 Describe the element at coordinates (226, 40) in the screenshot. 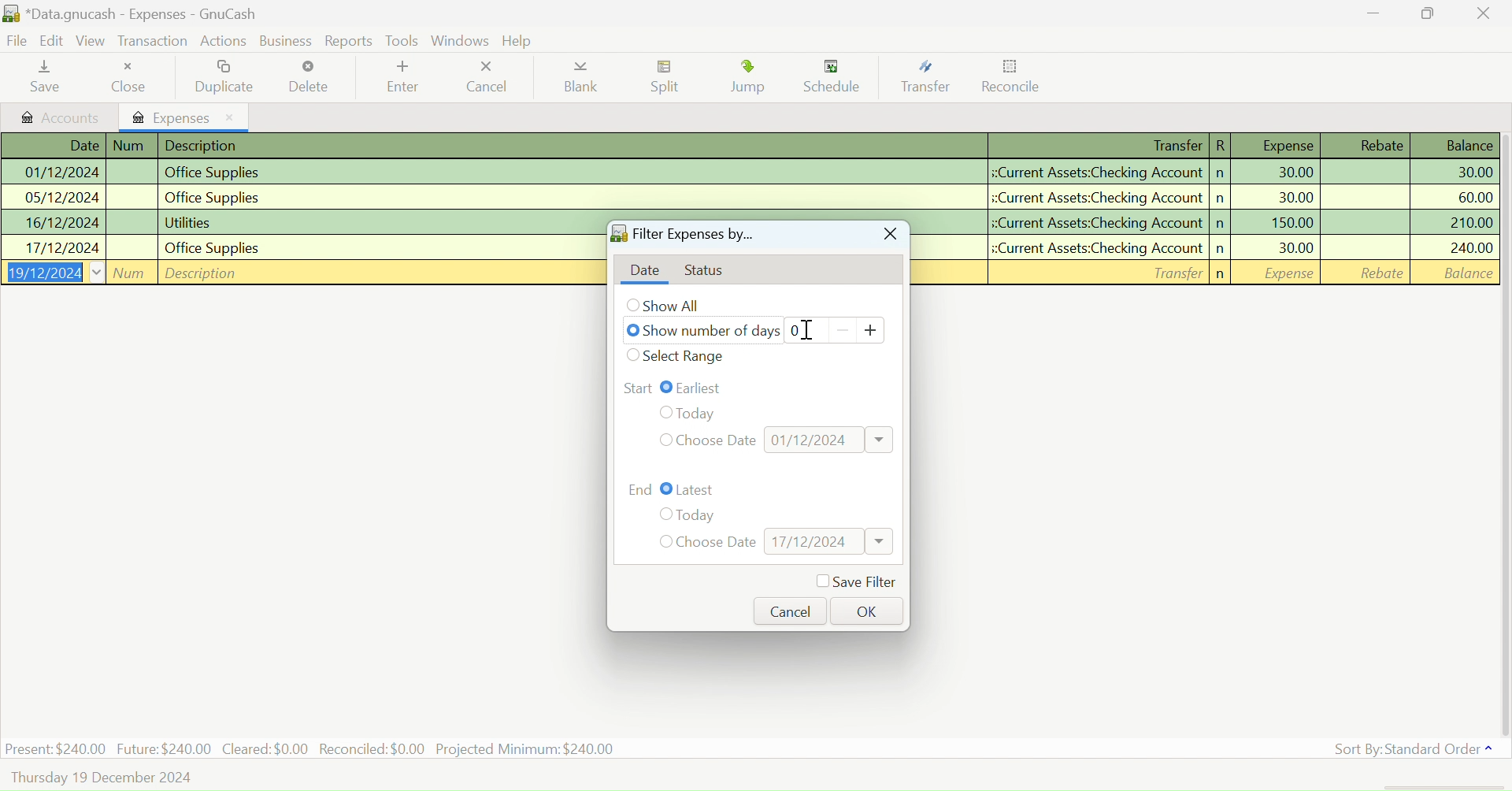

I see `Actions` at that location.